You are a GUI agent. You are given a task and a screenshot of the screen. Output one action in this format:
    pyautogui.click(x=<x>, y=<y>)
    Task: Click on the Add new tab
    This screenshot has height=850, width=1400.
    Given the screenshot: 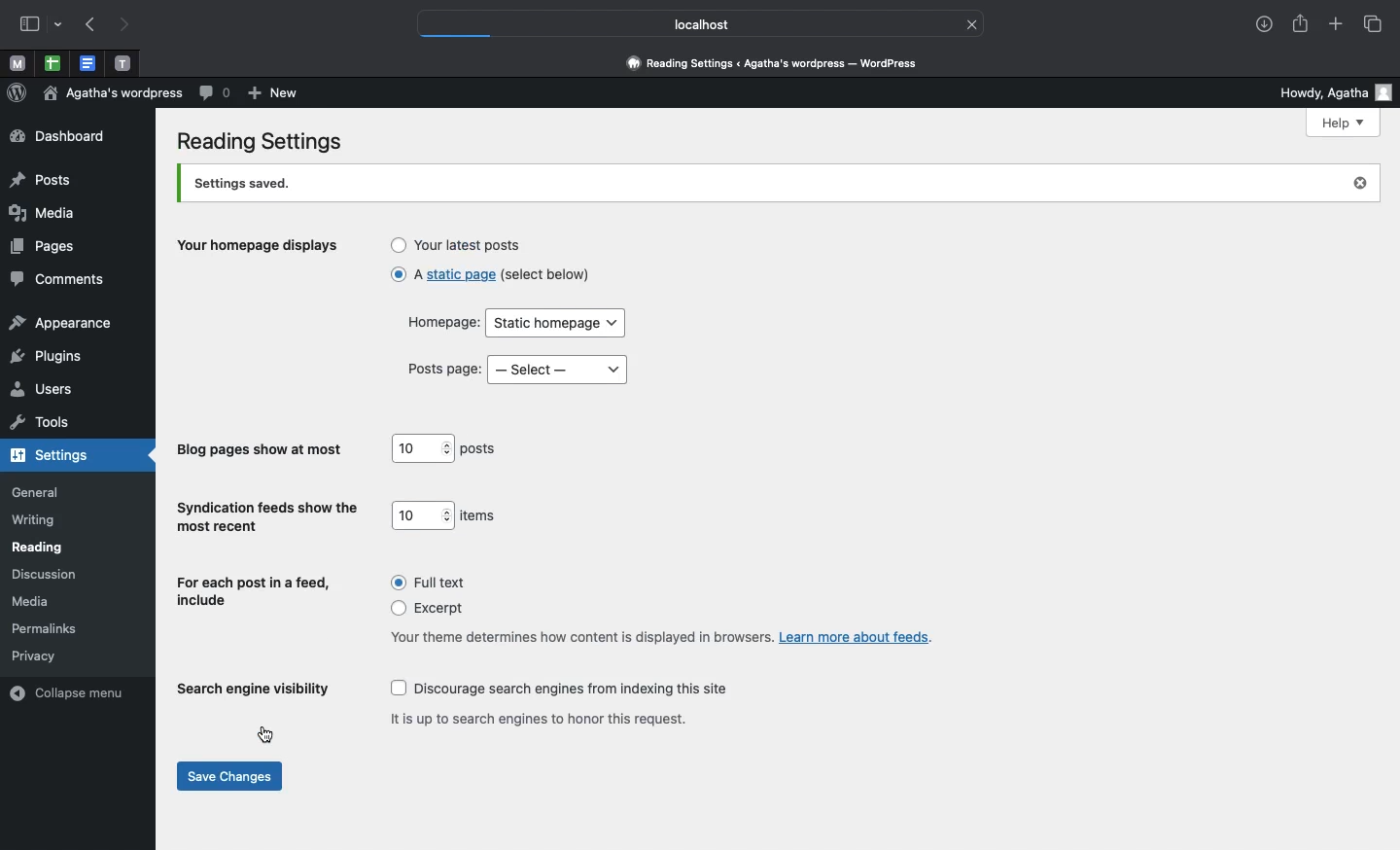 What is the action you would take?
    pyautogui.click(x=1336, y=21)
    